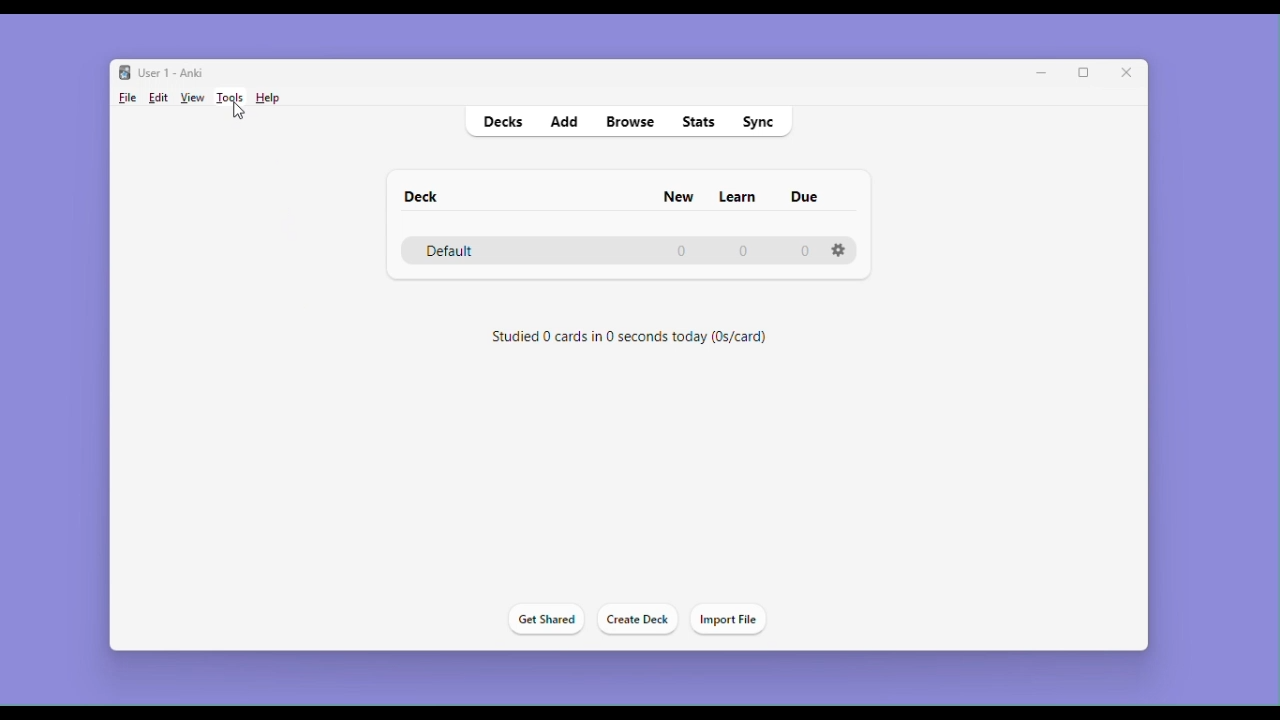  Describe the element at coordinates (634, 122) in the screenshot. I see `Browse` at that location.